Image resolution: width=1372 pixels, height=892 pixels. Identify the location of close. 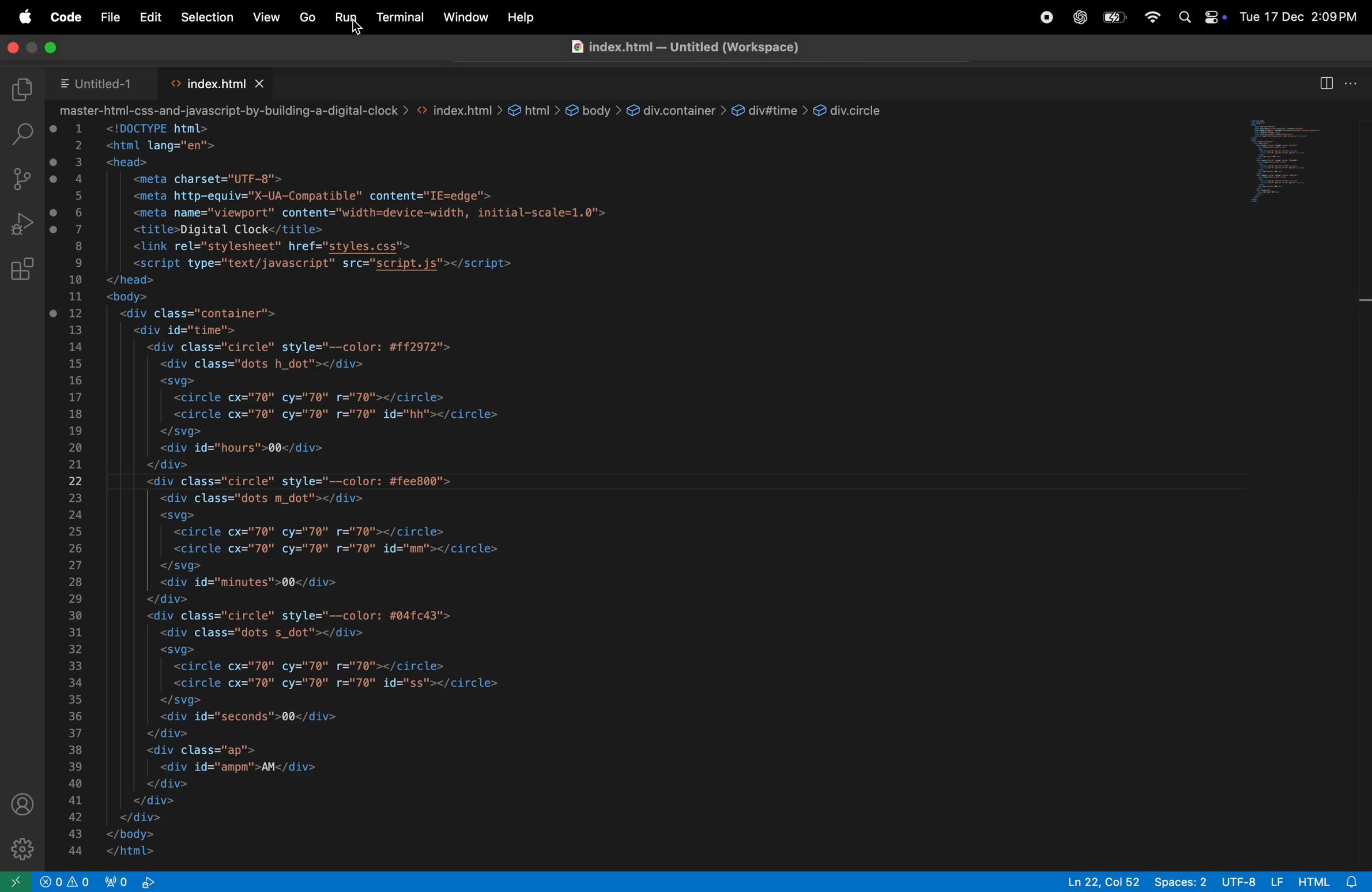
(261, 82).